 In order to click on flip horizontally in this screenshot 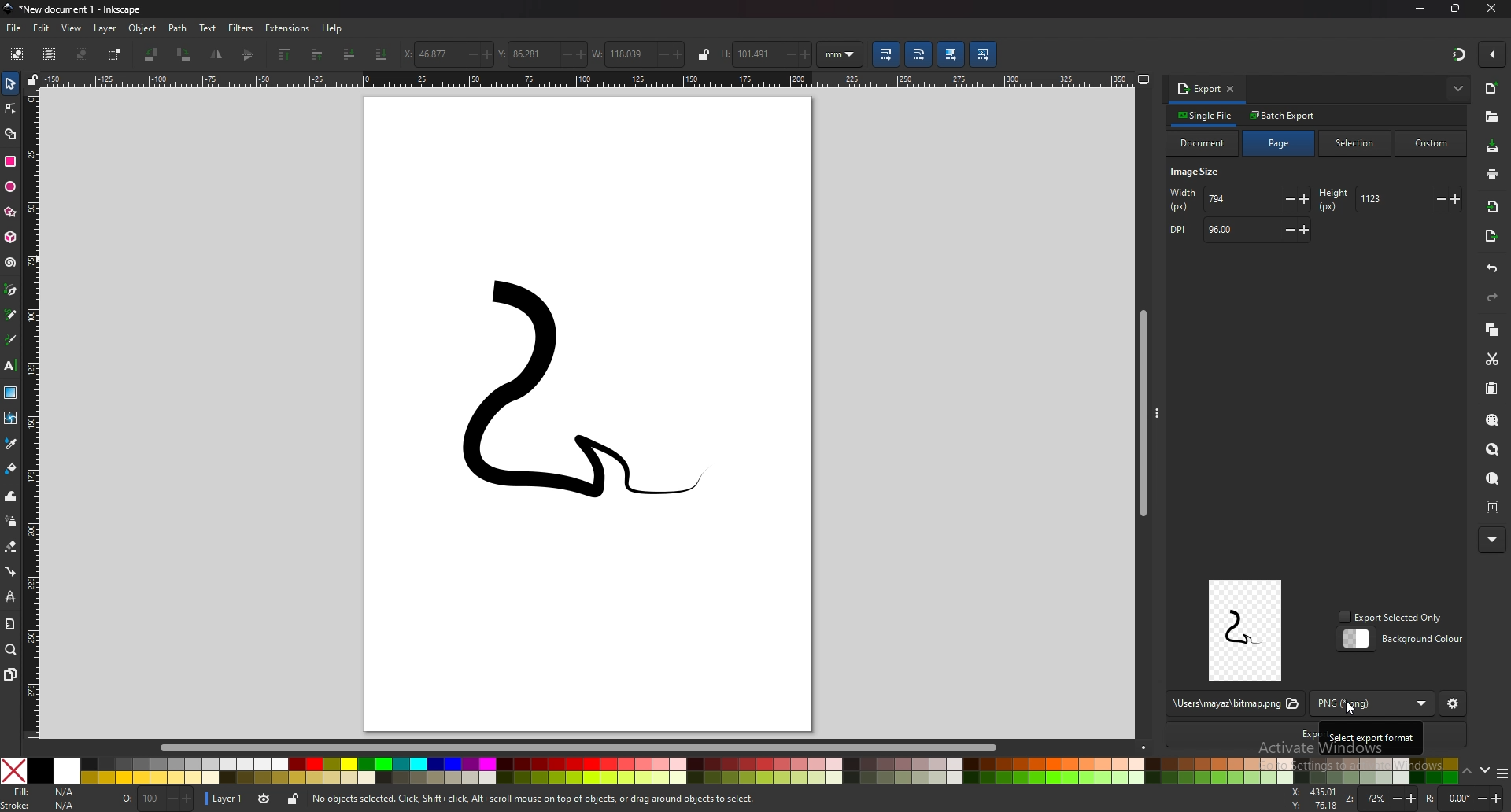, I will do `click(249, 54)`.